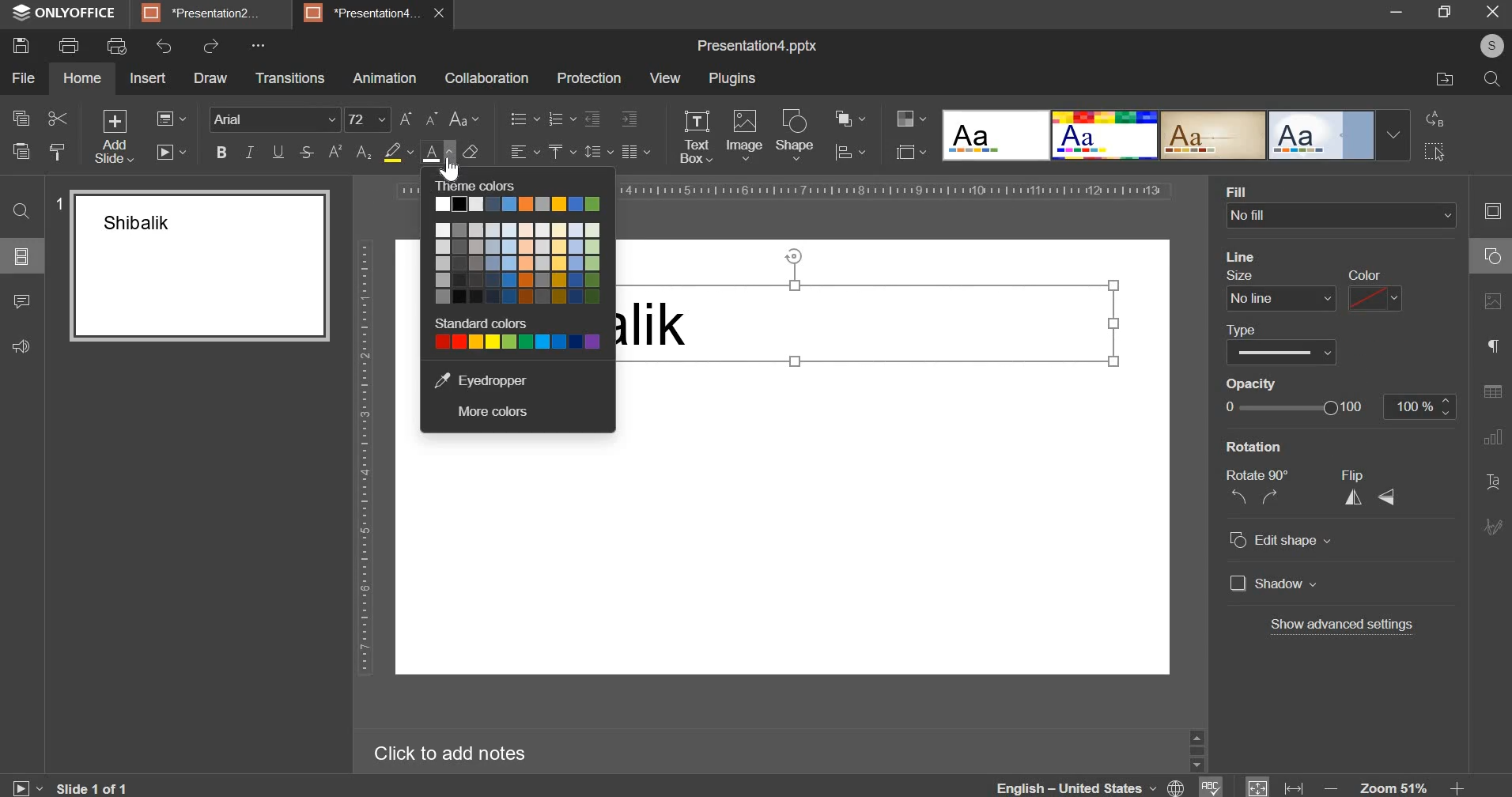 This screenshot has width=1512, height=797. Describe the element at coordinates (663, 77) in the screenshot. I see `view` at that location.